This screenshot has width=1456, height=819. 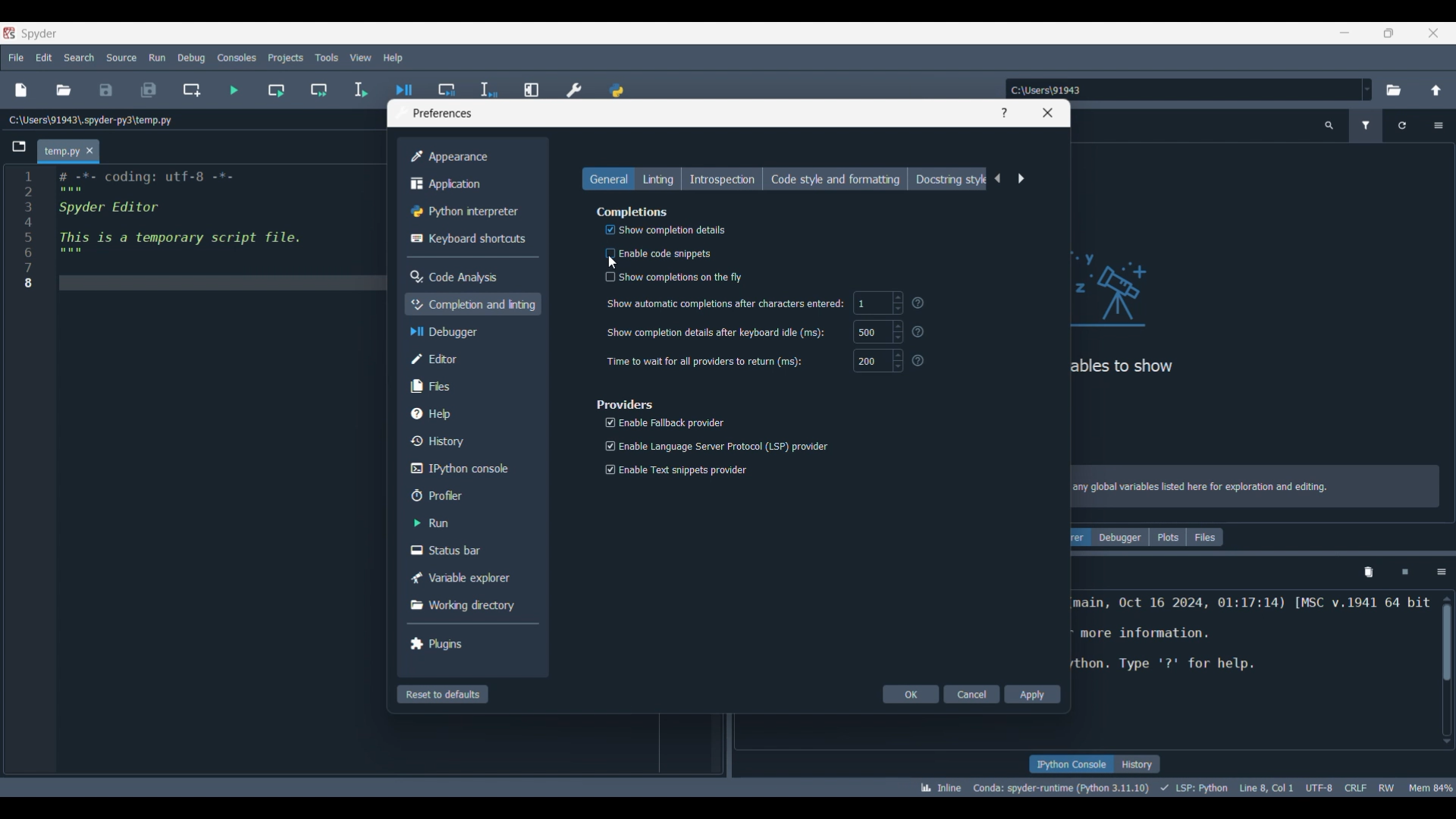 I want to click on ‘Show completions on the fly, so click(x=676, y=277).